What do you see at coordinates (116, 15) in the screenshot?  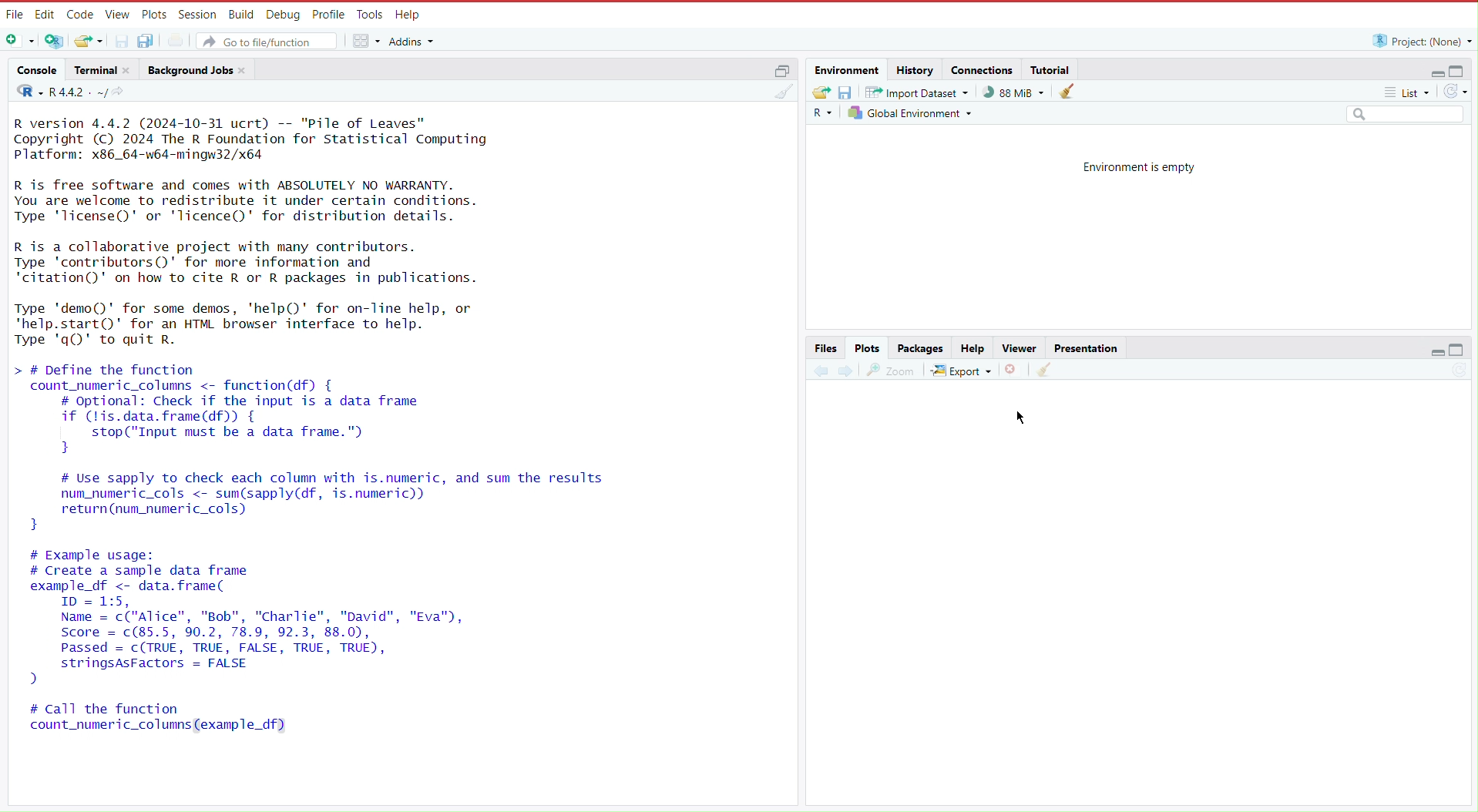 I see `View` at bounding box center [116, 15].